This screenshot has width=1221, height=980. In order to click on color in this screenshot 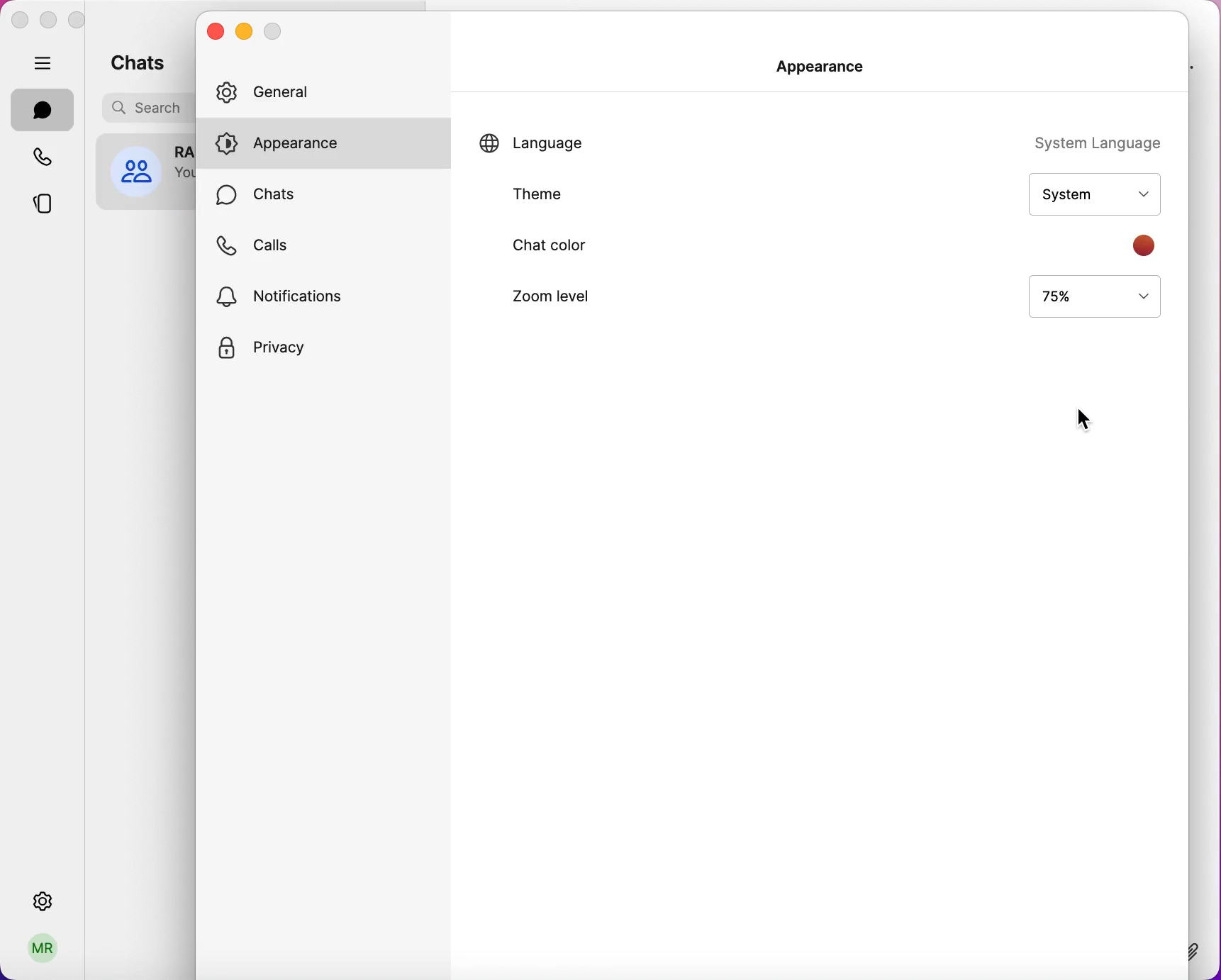, I will do `click(1150, 245)`.